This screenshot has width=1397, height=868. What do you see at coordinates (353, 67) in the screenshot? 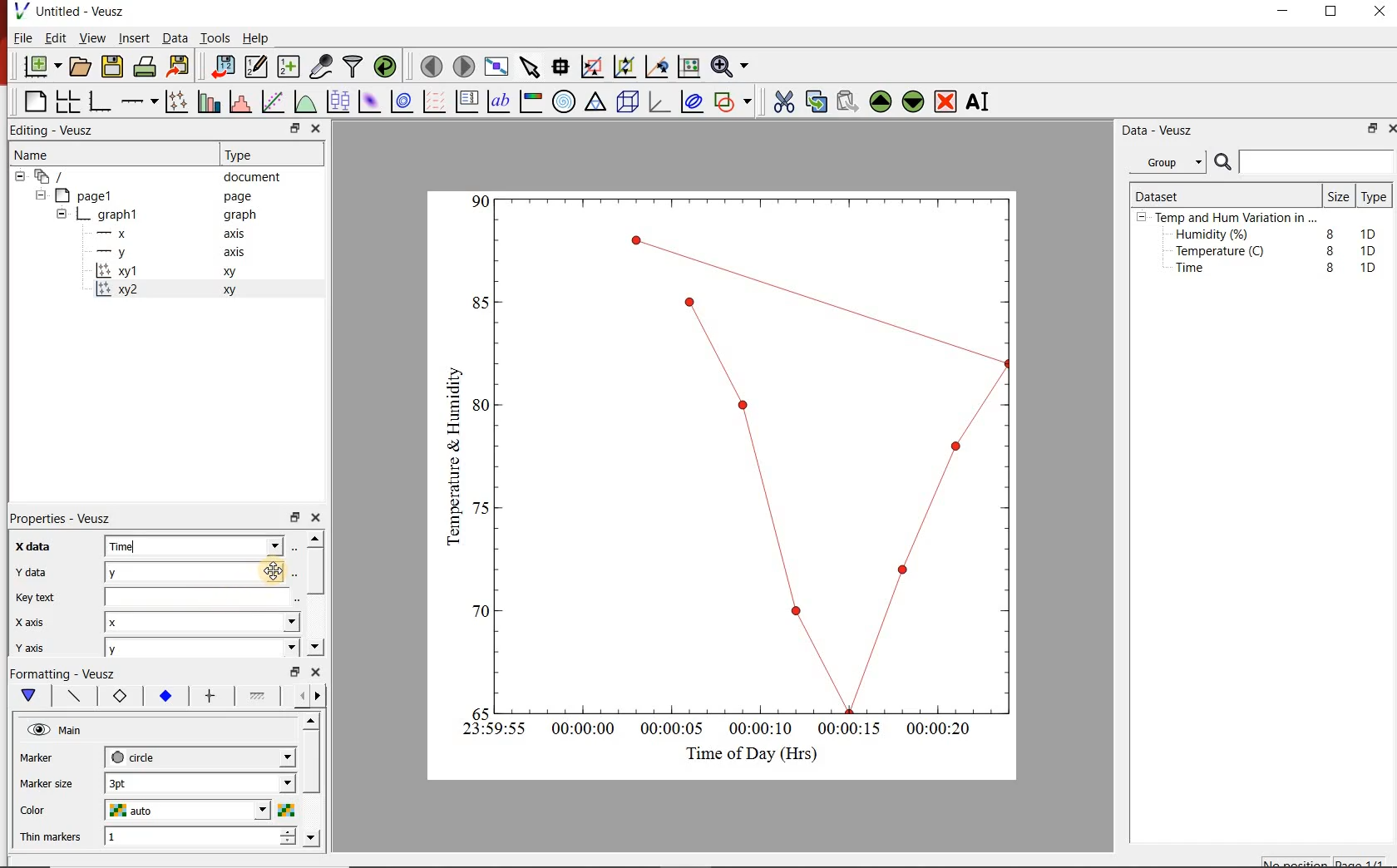
I see `filter data` at bounding box center [353, 67].